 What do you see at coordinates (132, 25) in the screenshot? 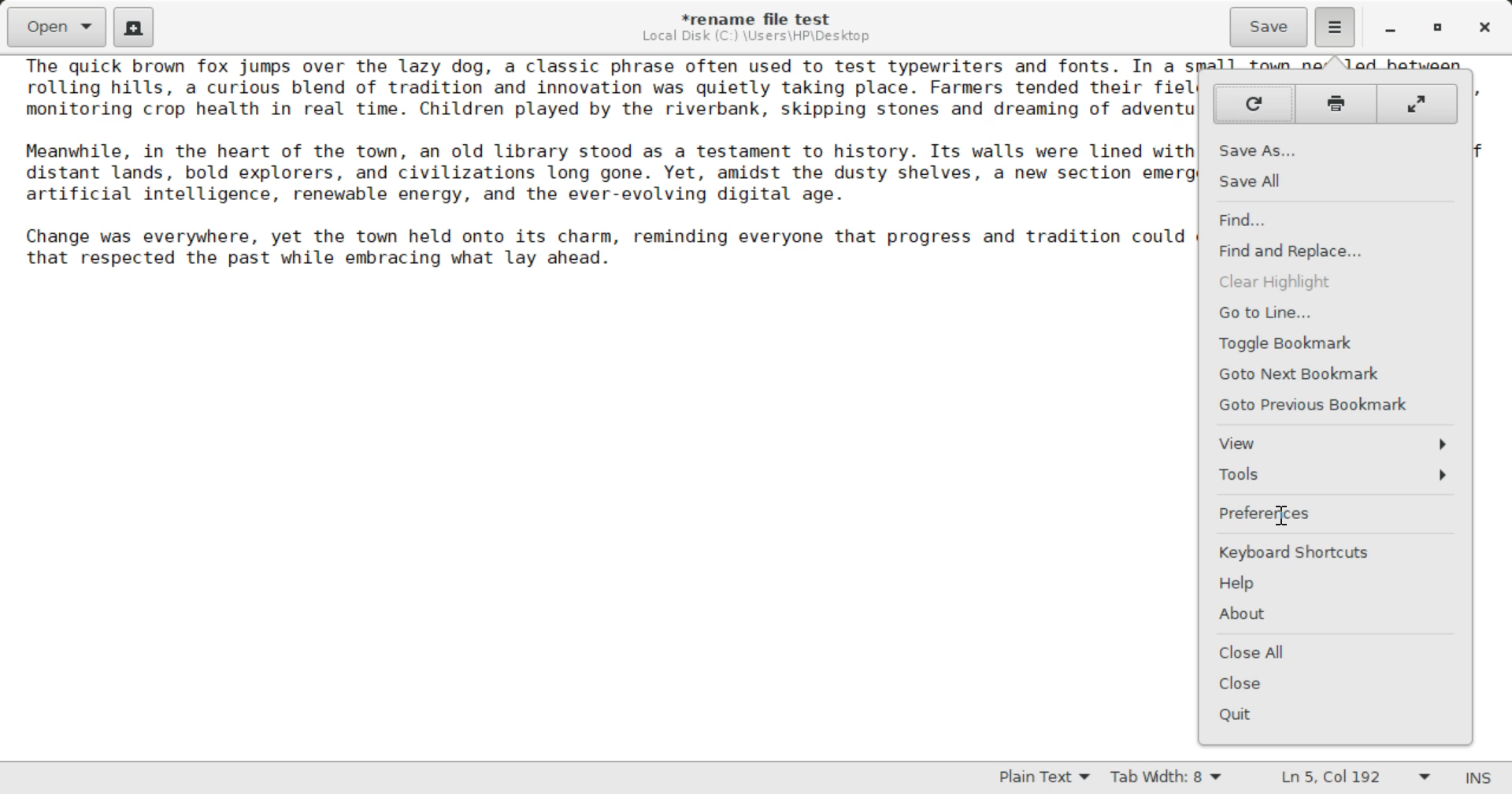
I see `Create New Document` at bounding box center [132, 25].